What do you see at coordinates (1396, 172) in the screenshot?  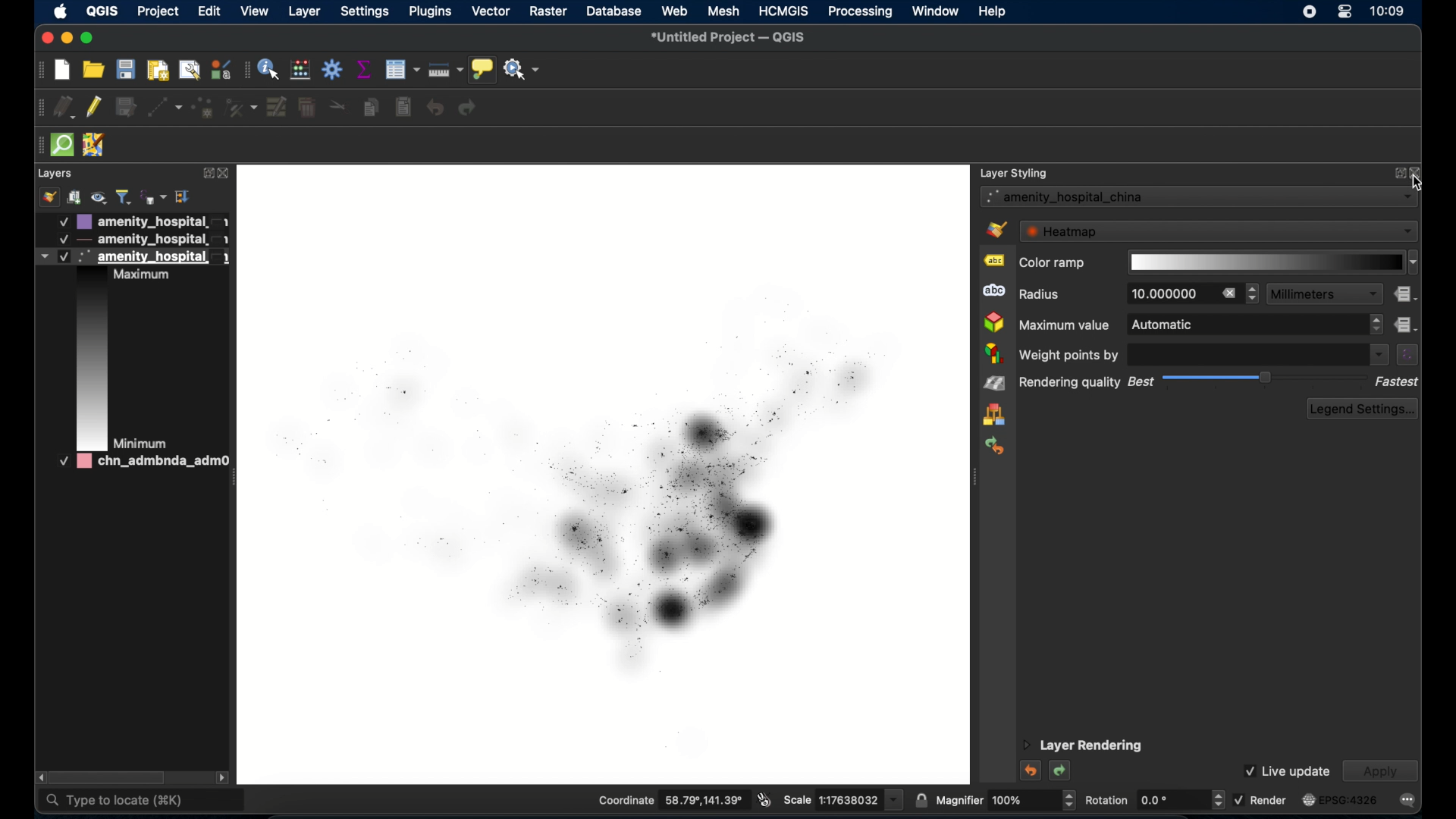 I see `expand` at bounding box center [1396, 172].